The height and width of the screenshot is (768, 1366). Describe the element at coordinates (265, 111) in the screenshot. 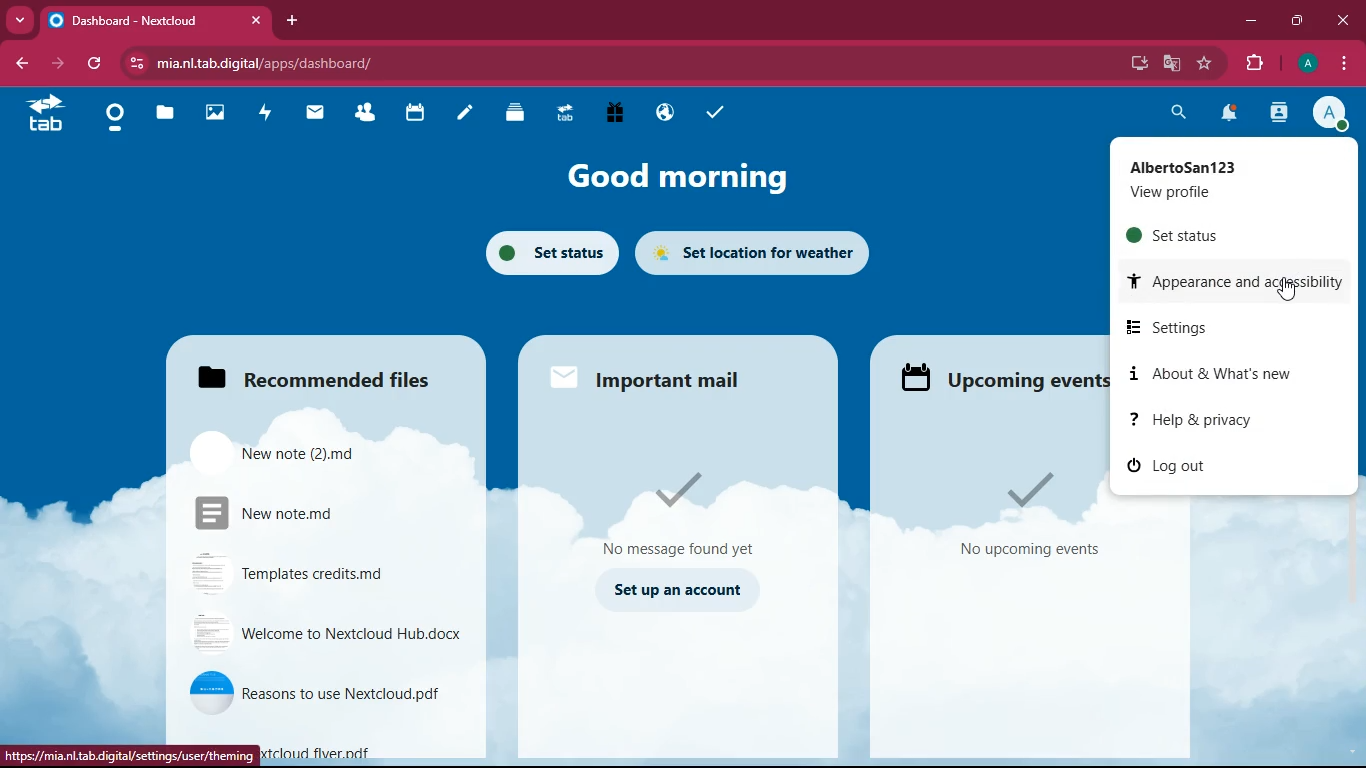

I see `activity` at that location.